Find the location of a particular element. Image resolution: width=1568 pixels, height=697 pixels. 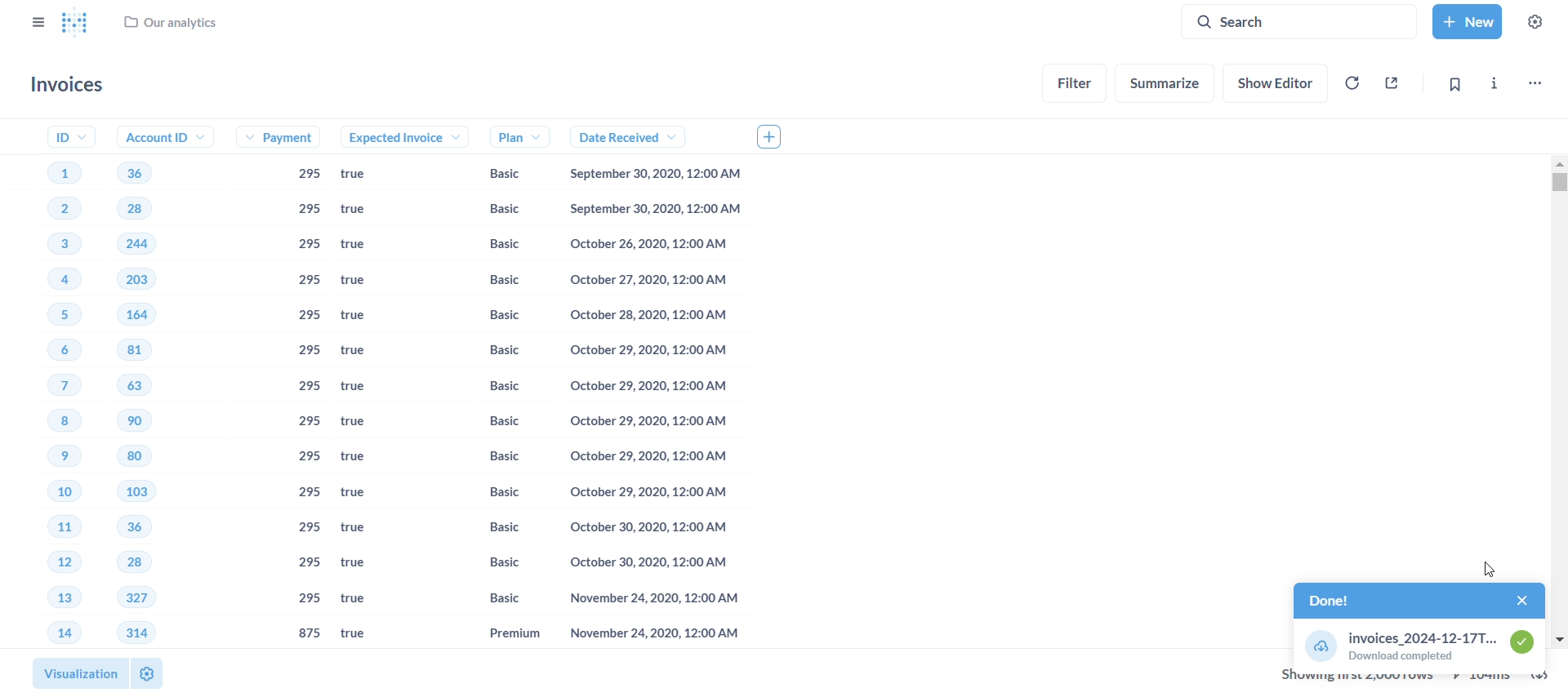

13 is located at coordinates (46, 599).